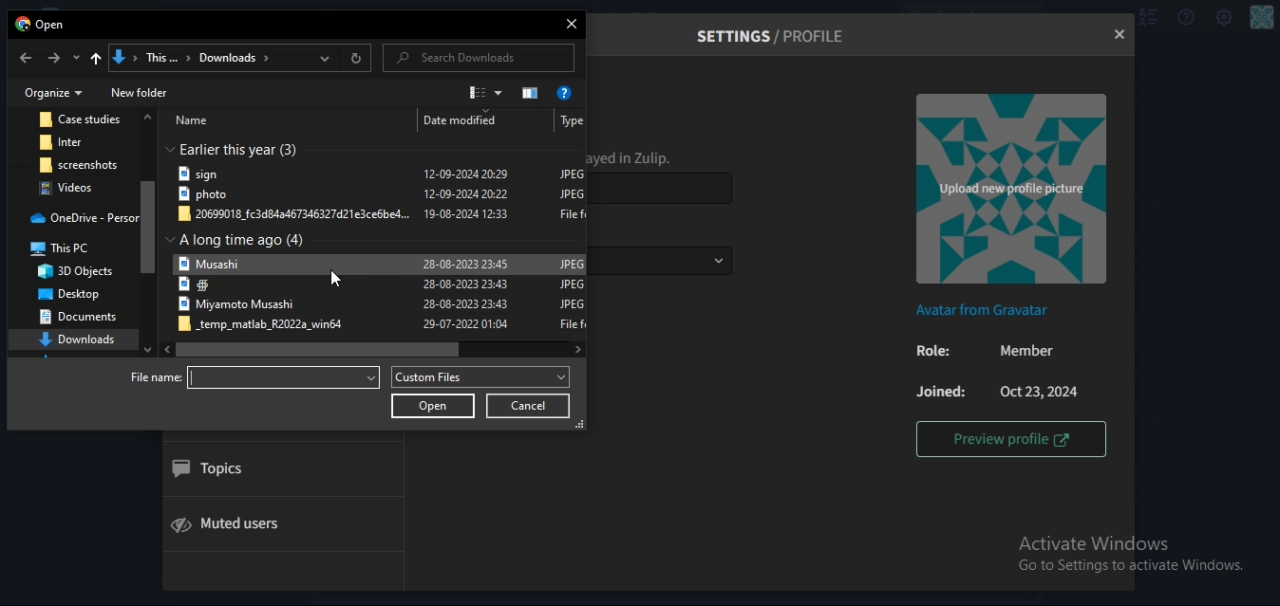 The height and width of the screenshot is (606, 1280). I want to click on Topics, so click(211, 470).